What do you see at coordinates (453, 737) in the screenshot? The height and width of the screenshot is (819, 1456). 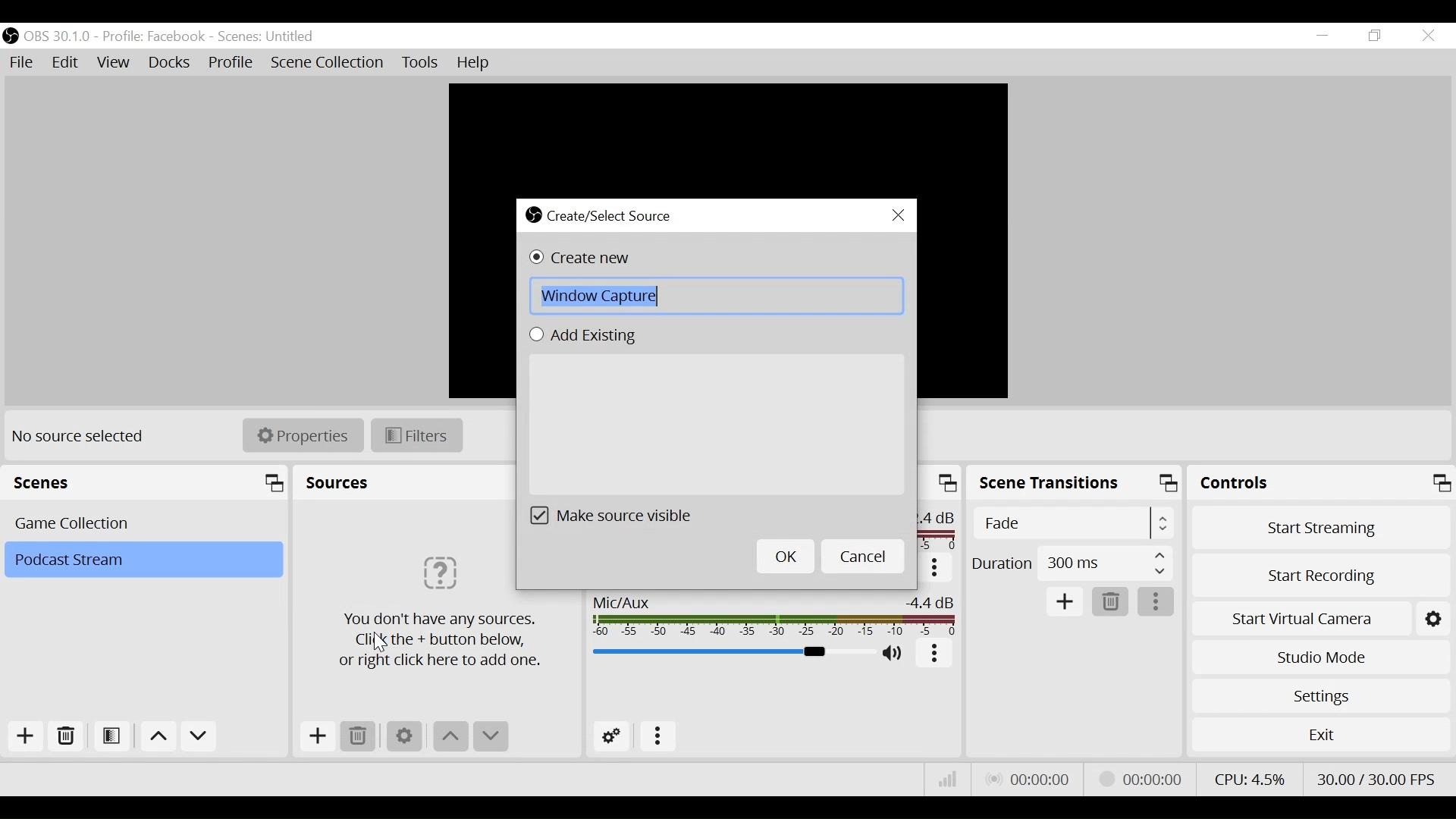 I see `move up` at bounding box center [453, 737].